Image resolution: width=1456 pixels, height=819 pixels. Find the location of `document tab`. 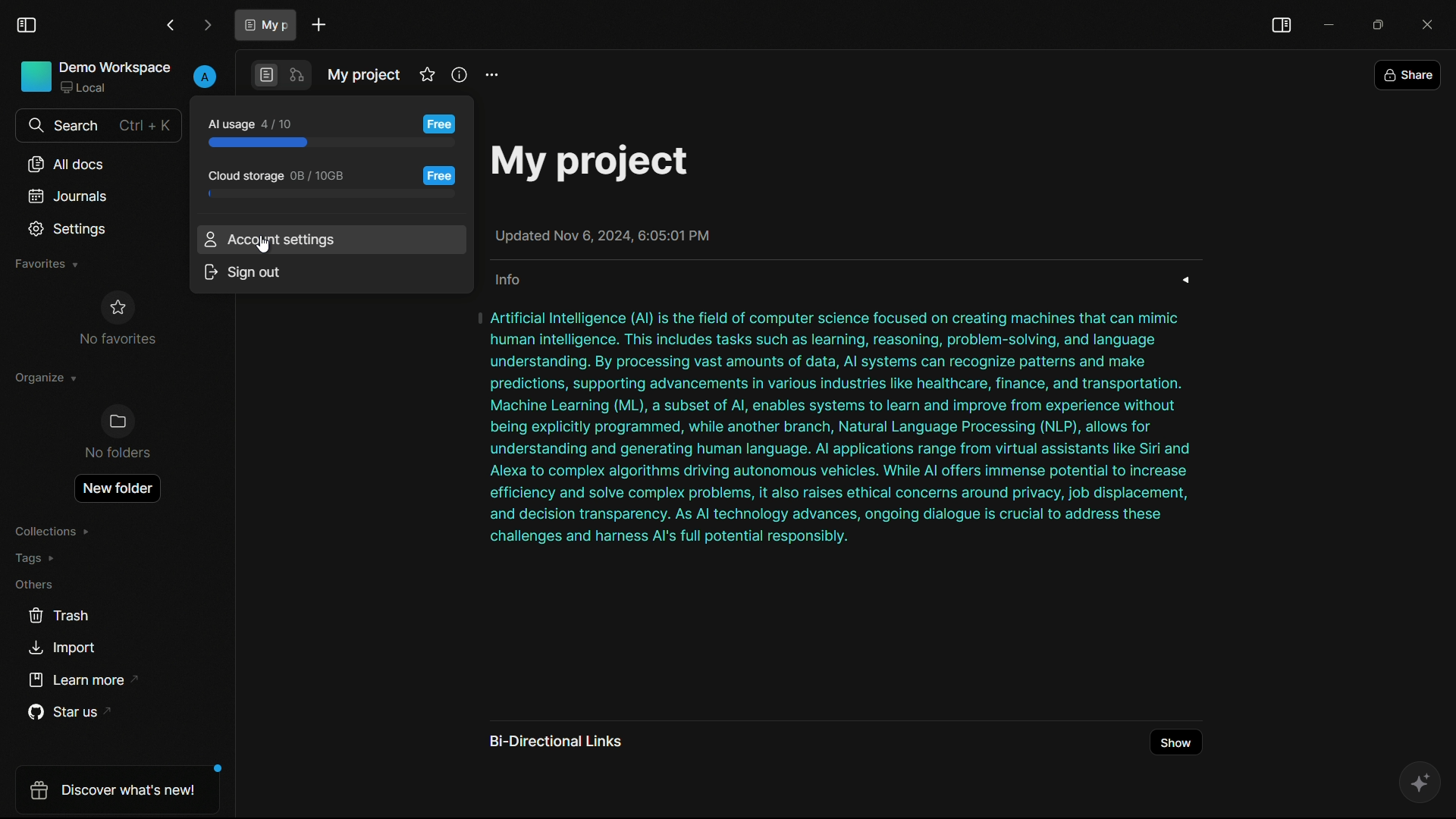

document tab is located at coordinates (265, 24).